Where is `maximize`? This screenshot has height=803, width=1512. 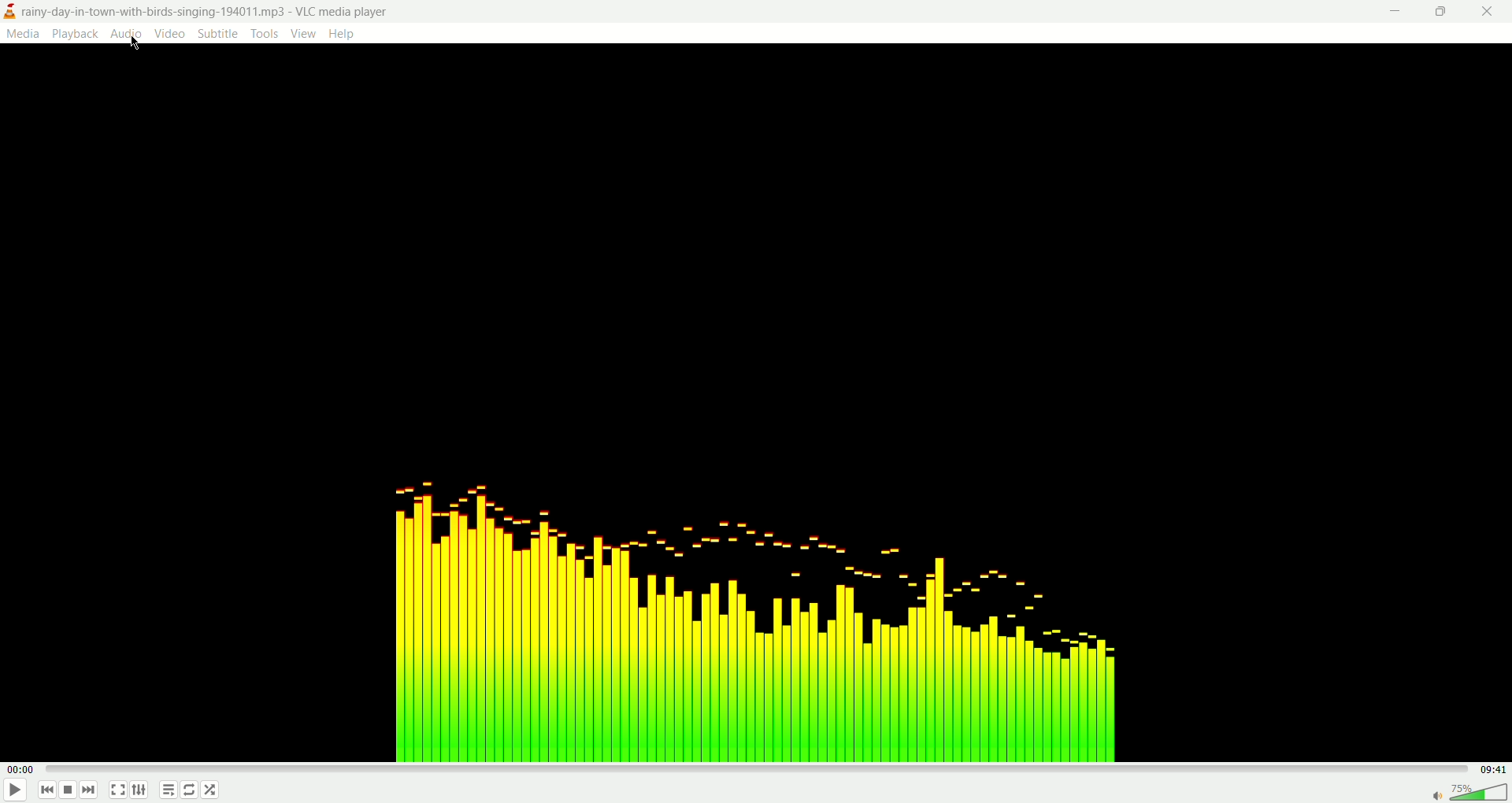 maximize is located at coordinates (1443, 13).